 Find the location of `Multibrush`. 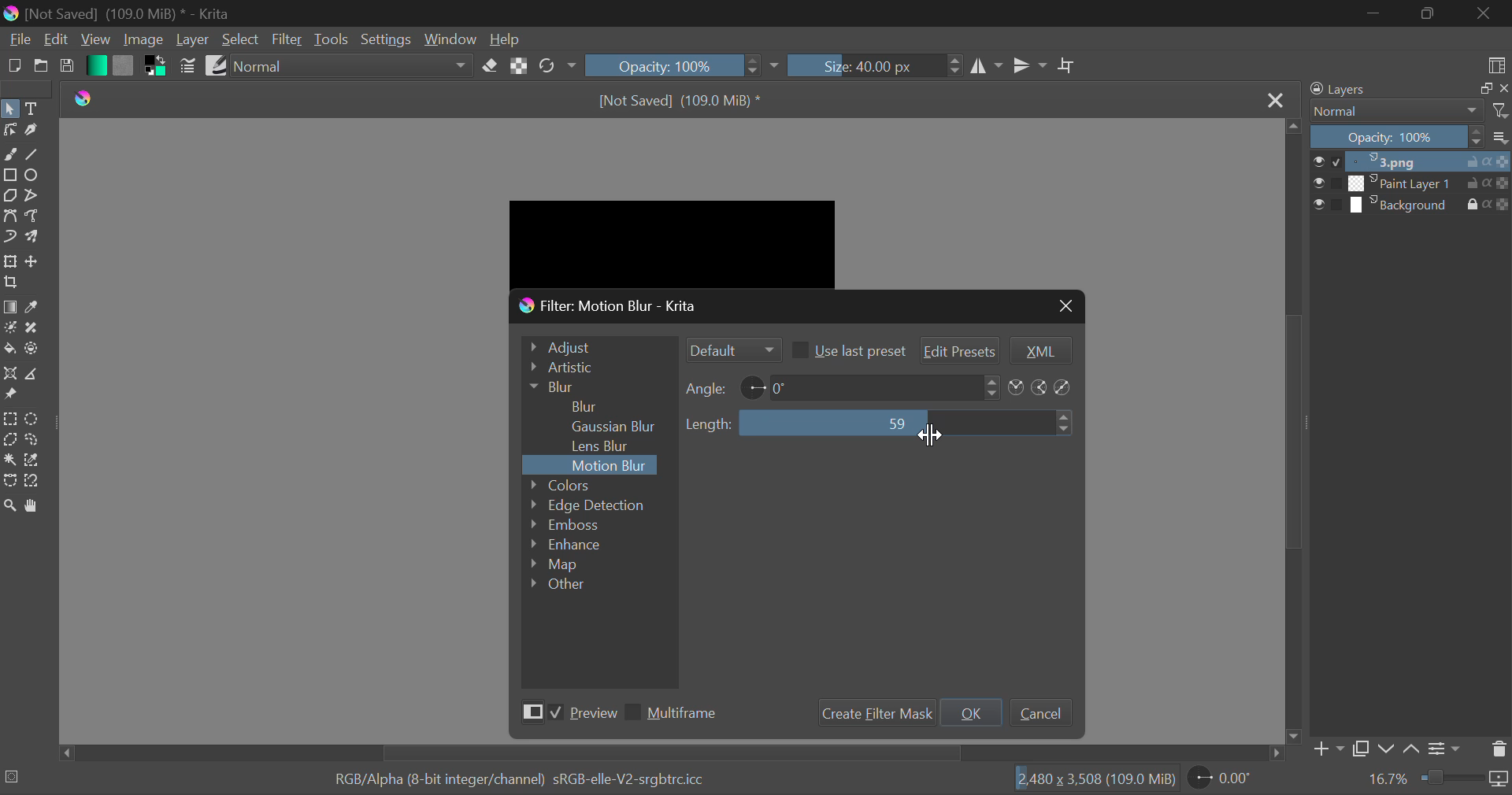

Multibrush is located at coordinates (35, 238).